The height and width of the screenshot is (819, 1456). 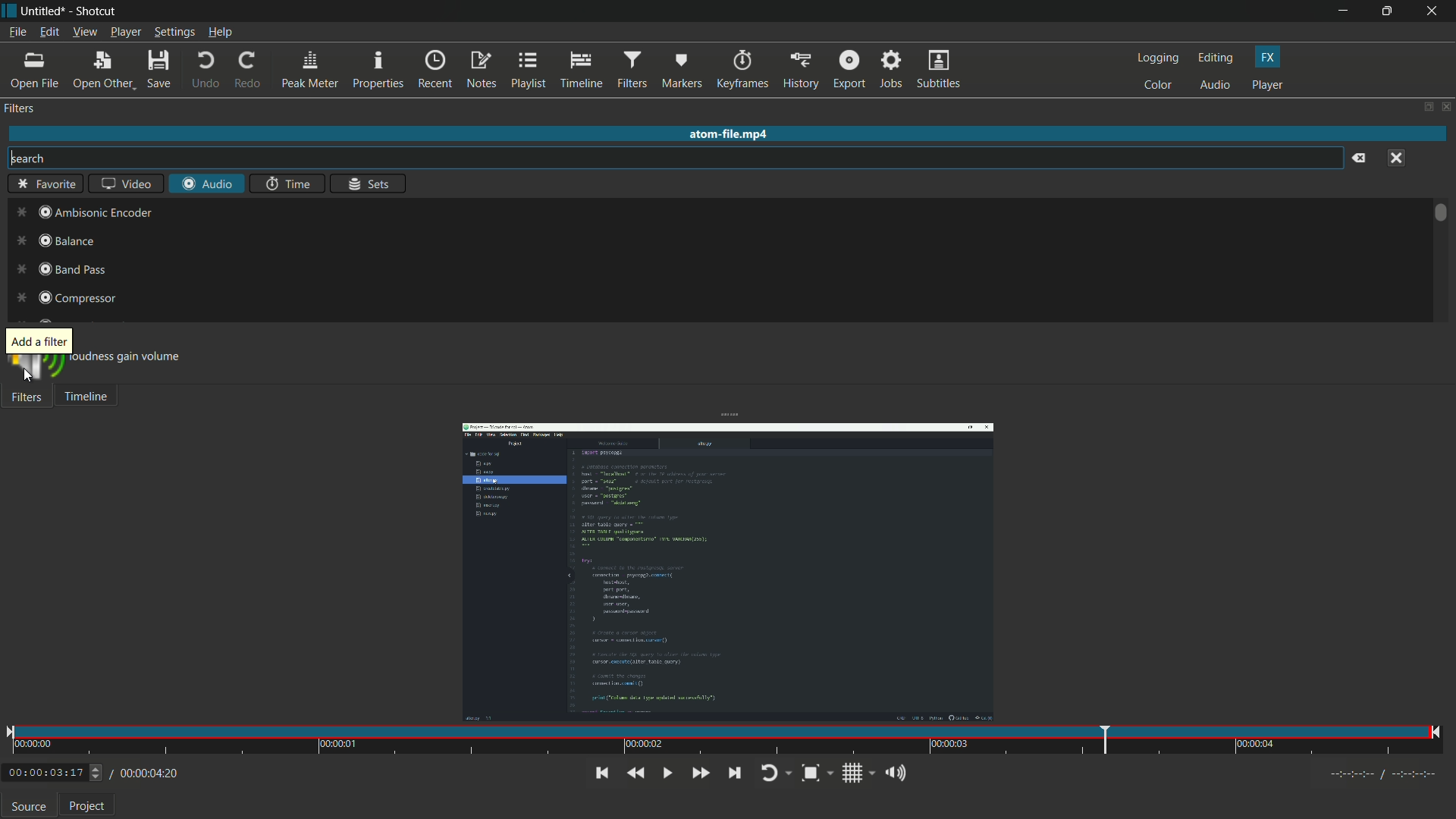 What do you see at coordinates (775, 774) in the screenshot?
I see `toggle player looping` at bounding box center [775, 774].